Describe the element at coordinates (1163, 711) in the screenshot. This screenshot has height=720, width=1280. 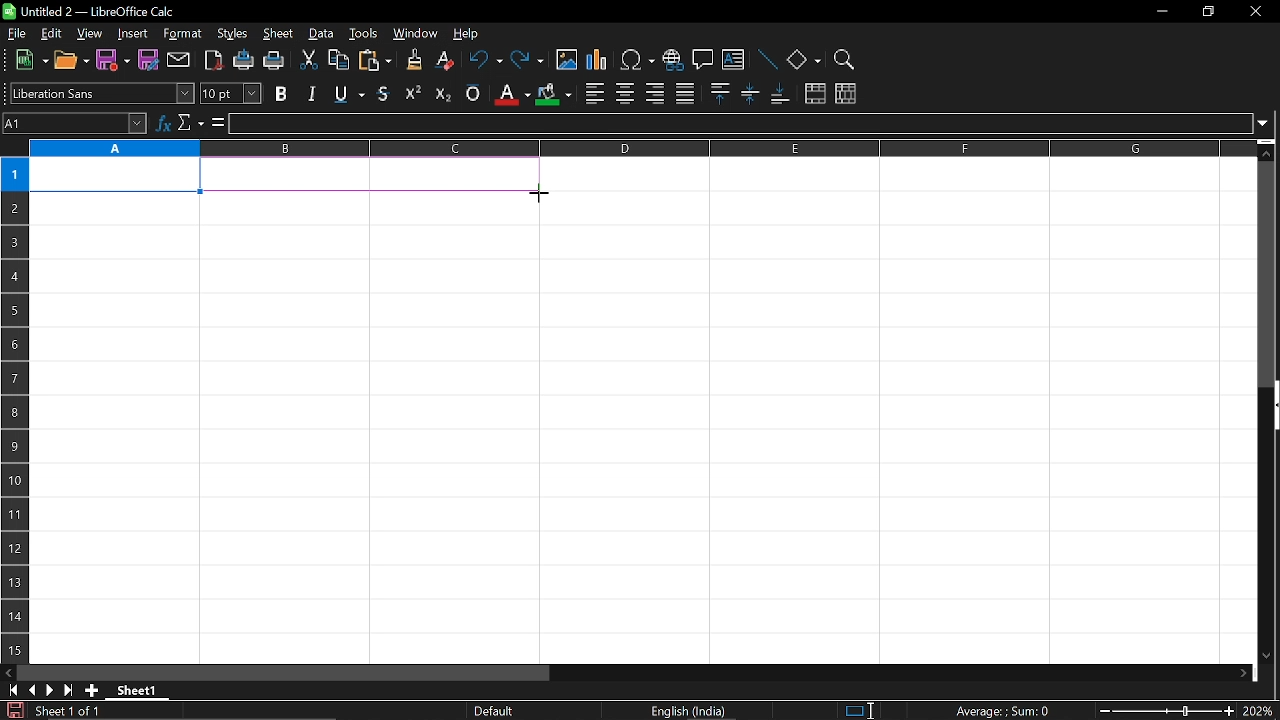
I see `change zoom` at that location.